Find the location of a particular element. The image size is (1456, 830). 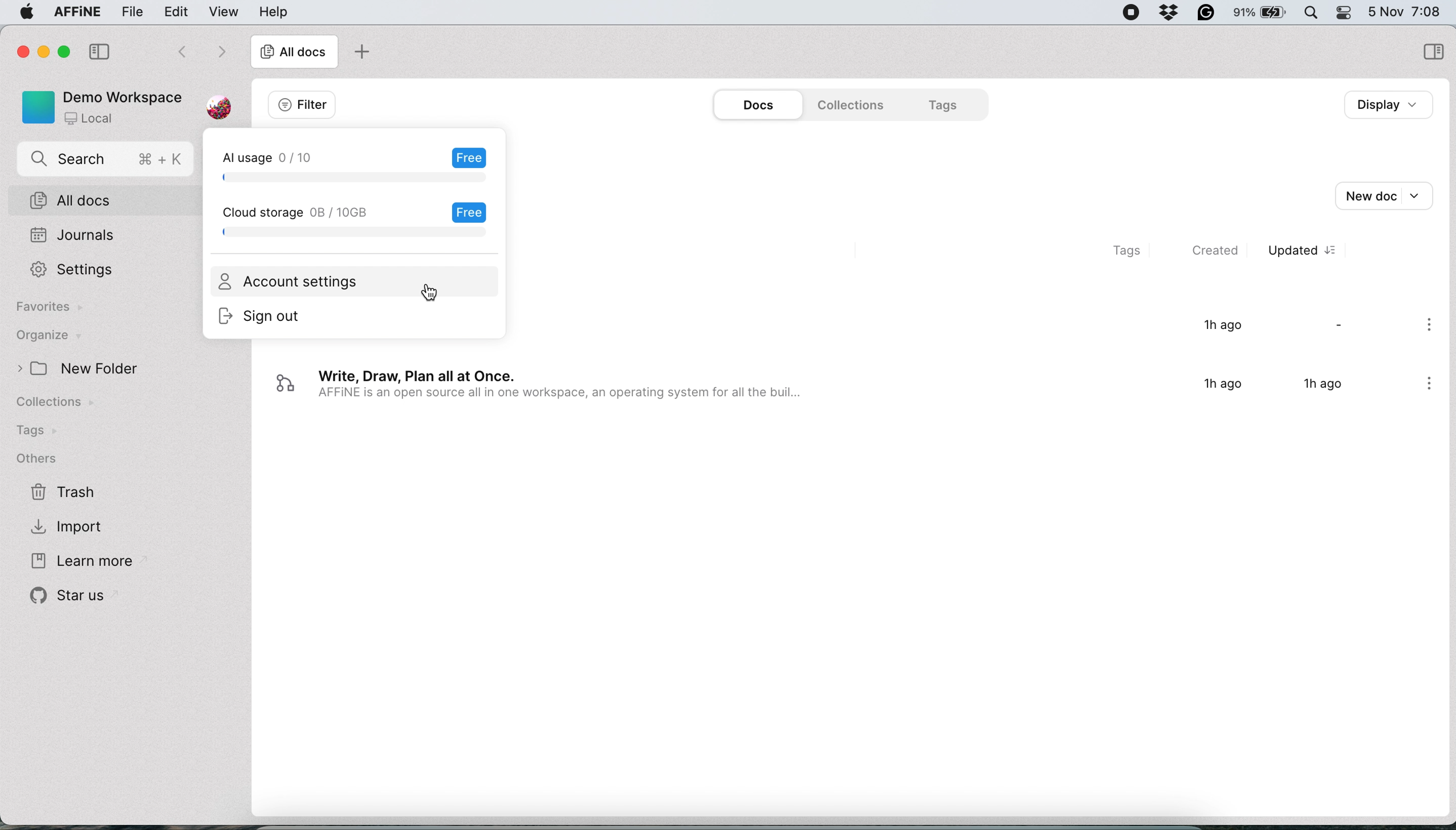

filter is located at coordinates (300, 104).